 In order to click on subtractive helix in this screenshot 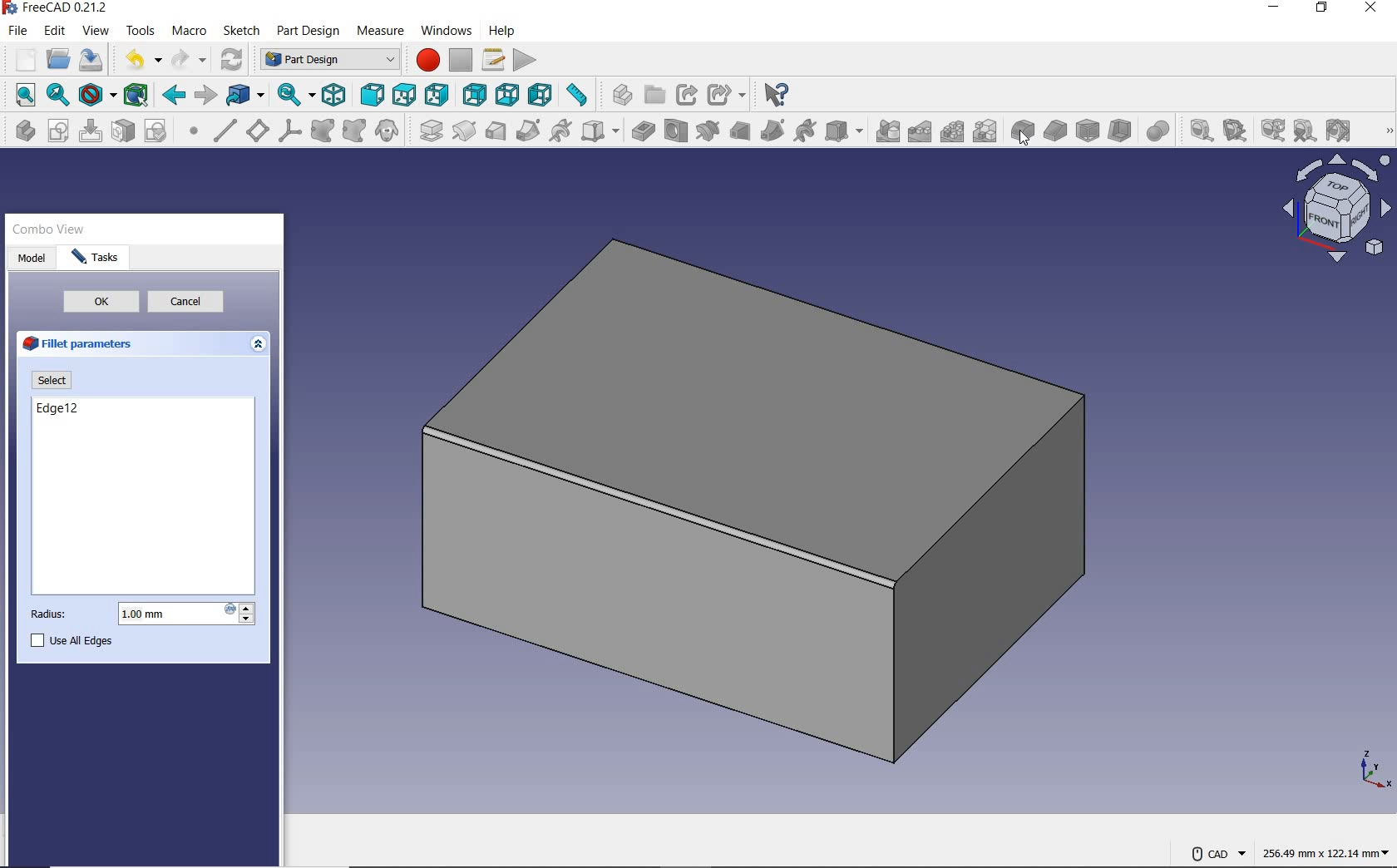, I will do `click(804, 130)`.